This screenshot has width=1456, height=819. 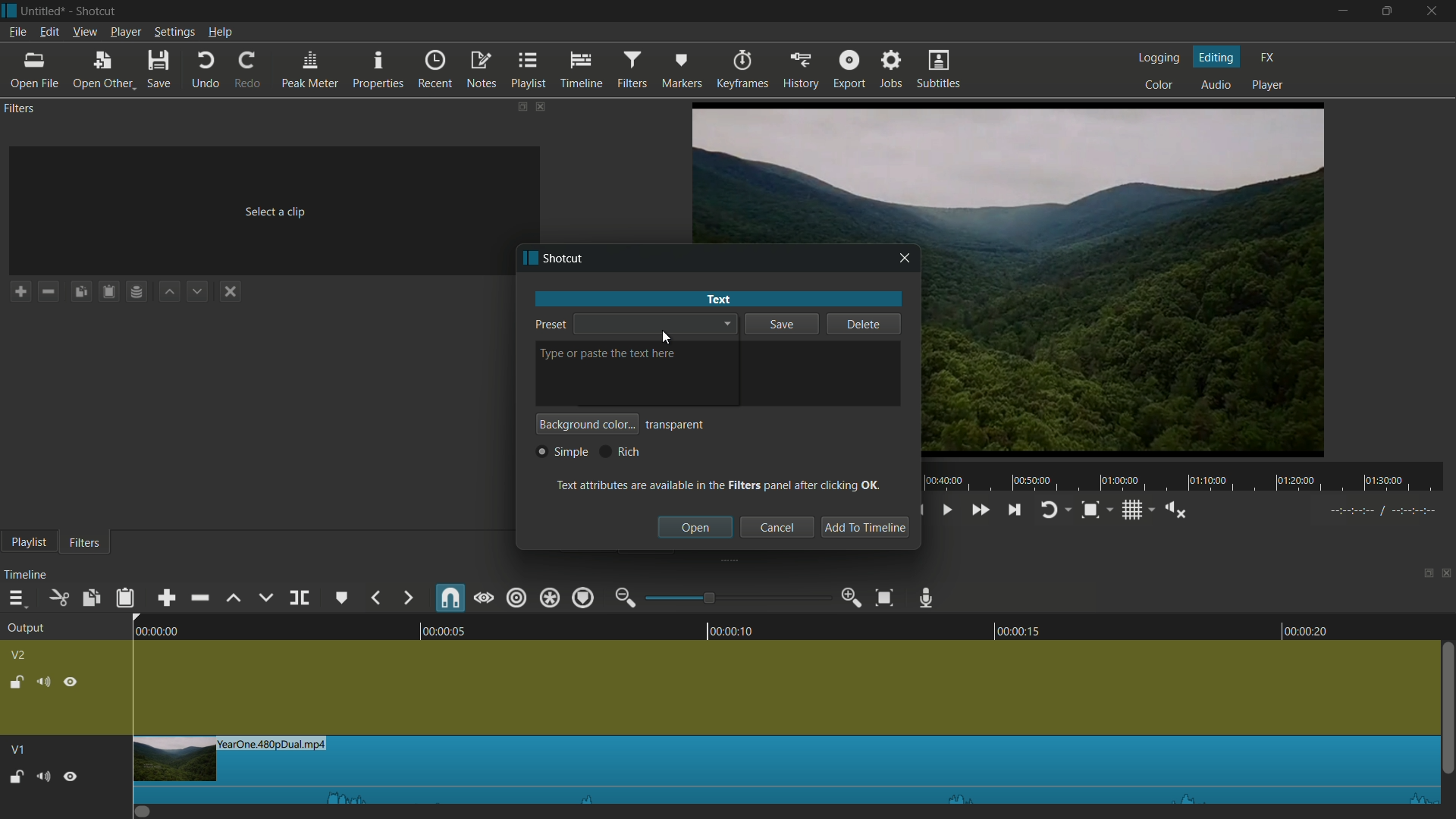 What do you see at coordinates (42, 775) in the screenshot?
I see `Volume` at bounding box center [42, 775].